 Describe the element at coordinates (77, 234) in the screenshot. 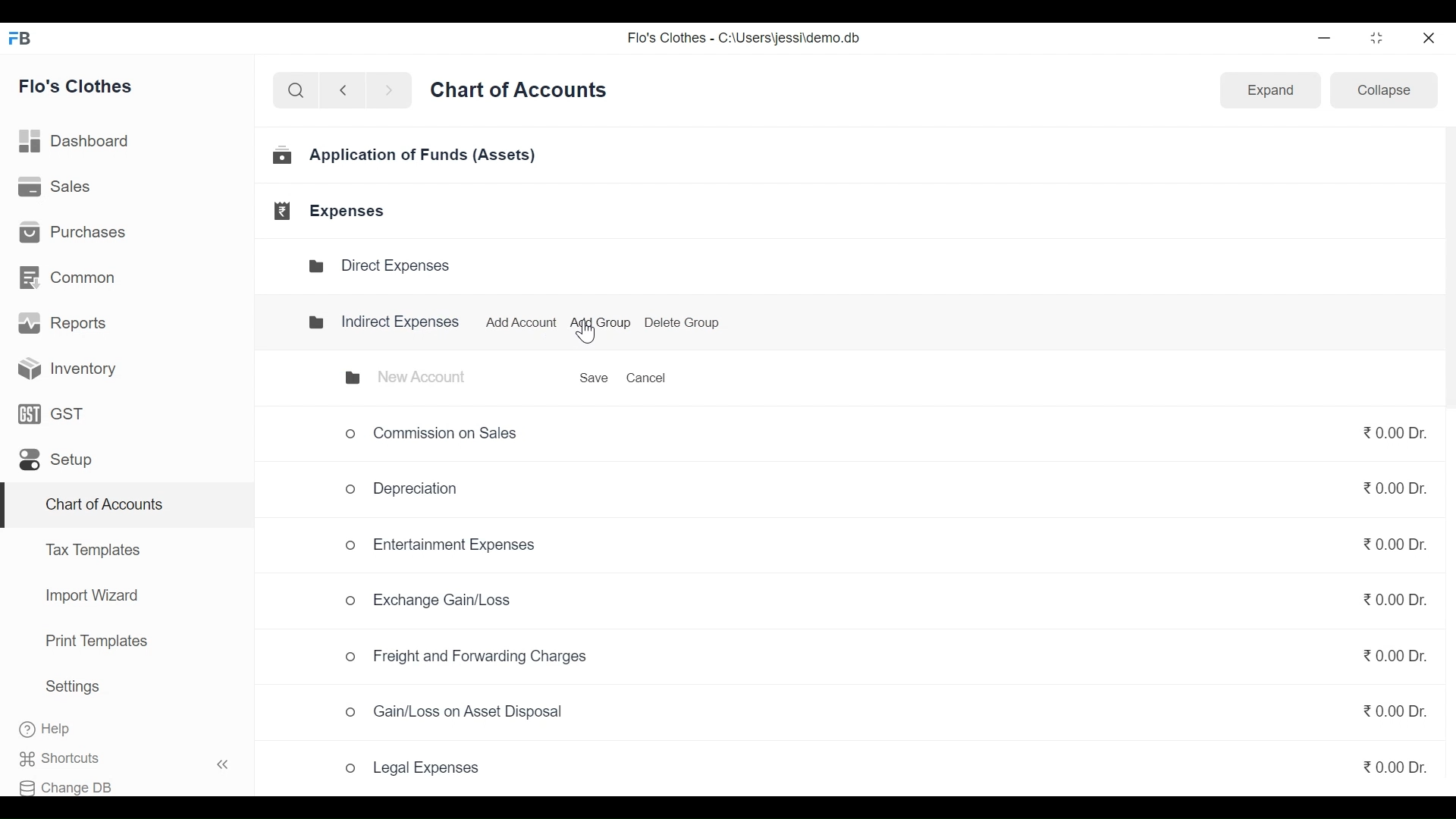

I see `Purchases` at that location.